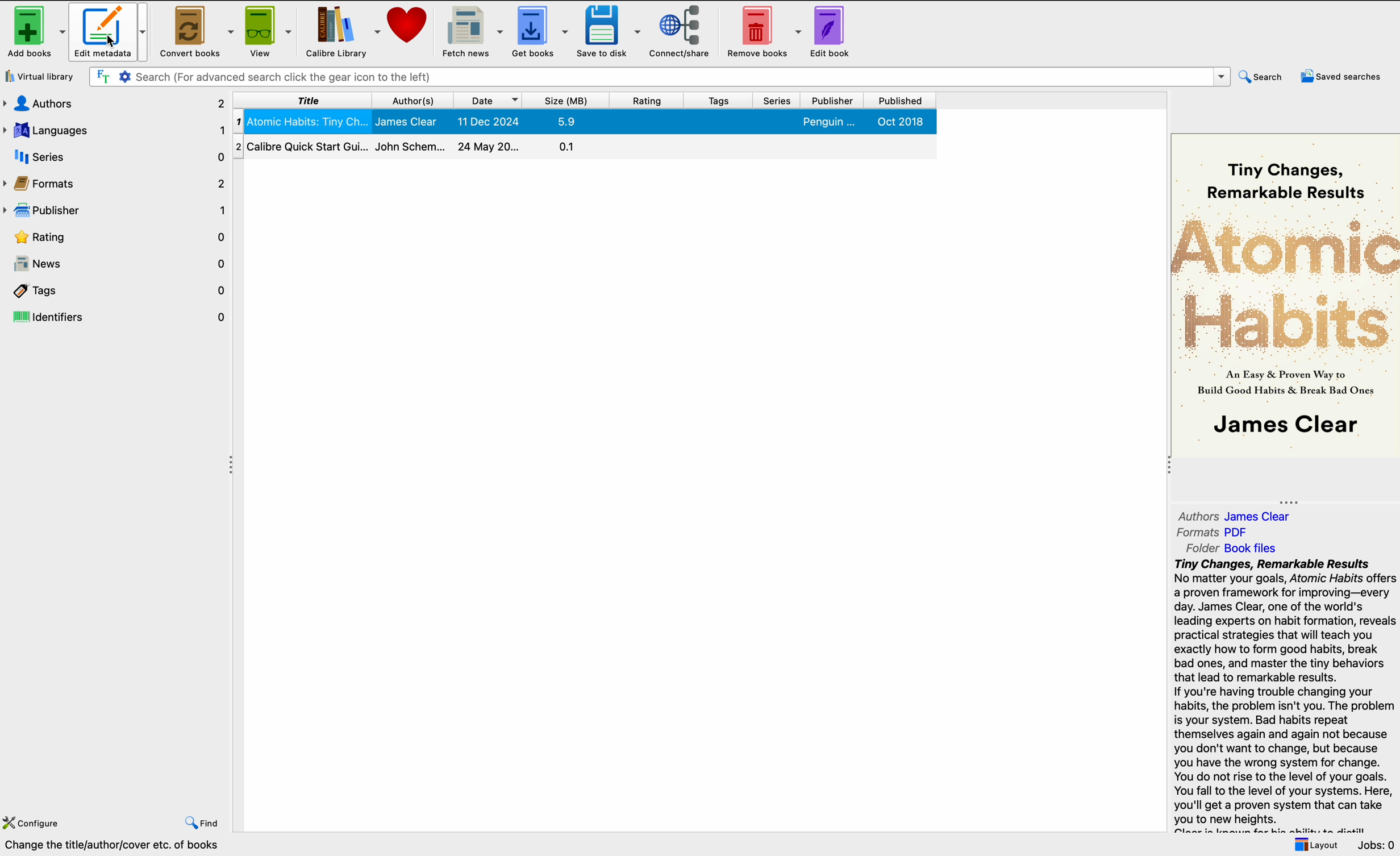 The height and width of the screenshot is (856, 1400). Describe the element at coordinates (1235, 548) in the screenshot. I see `folder` at that location.